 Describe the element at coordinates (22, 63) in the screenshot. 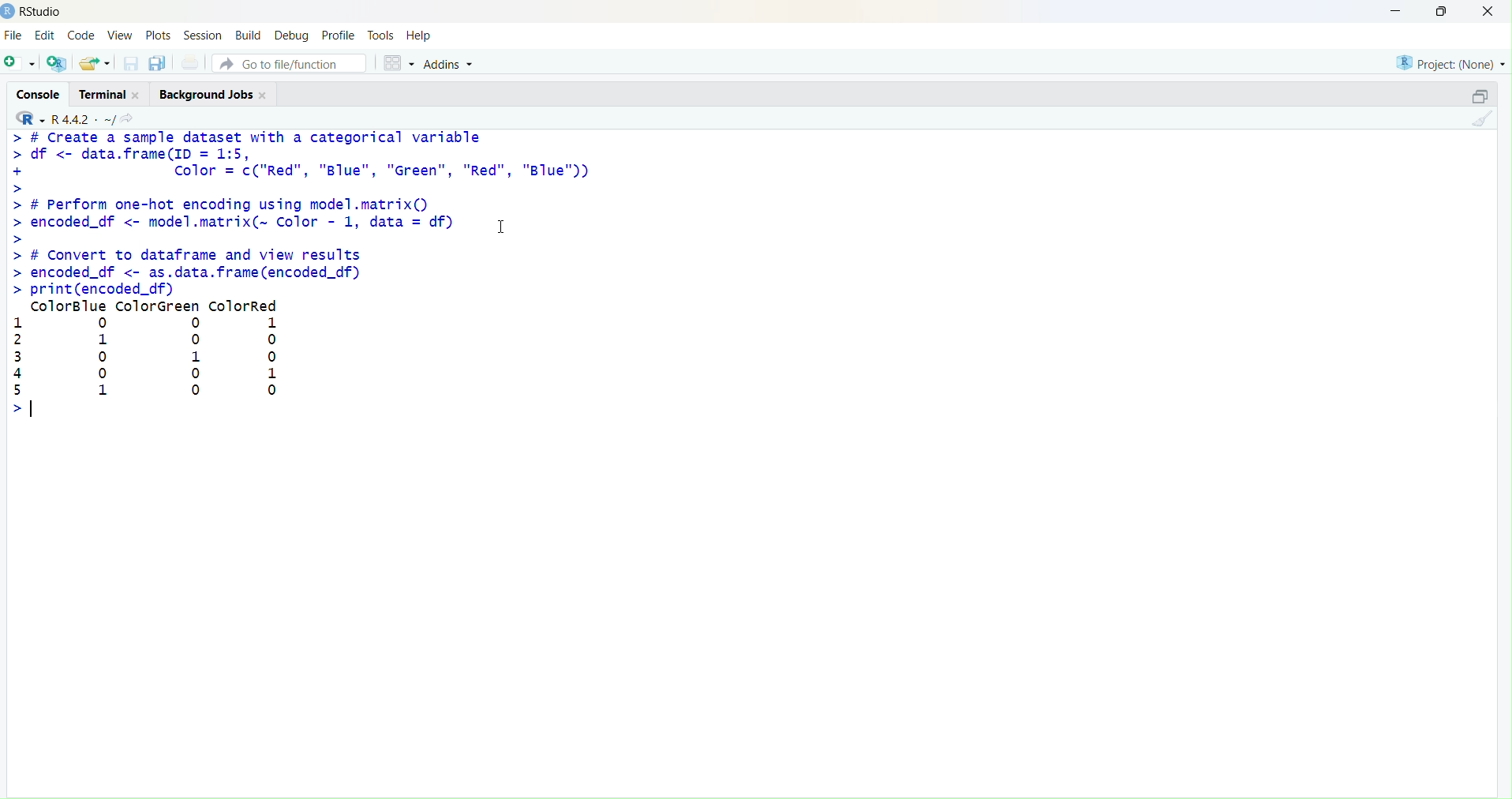

I see `add file as` at that location.